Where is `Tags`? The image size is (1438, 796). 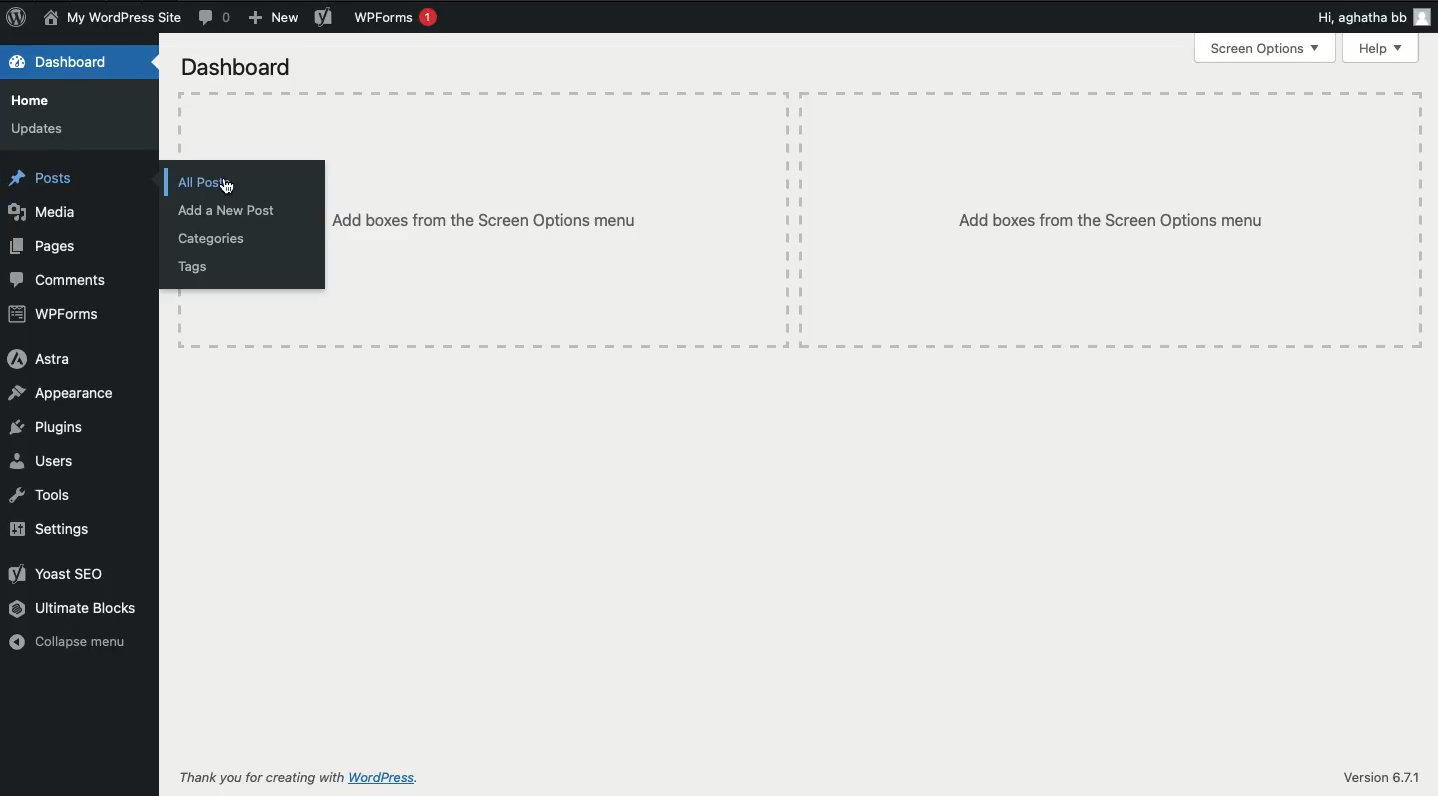
Tags is located at coordinates (196, 269).